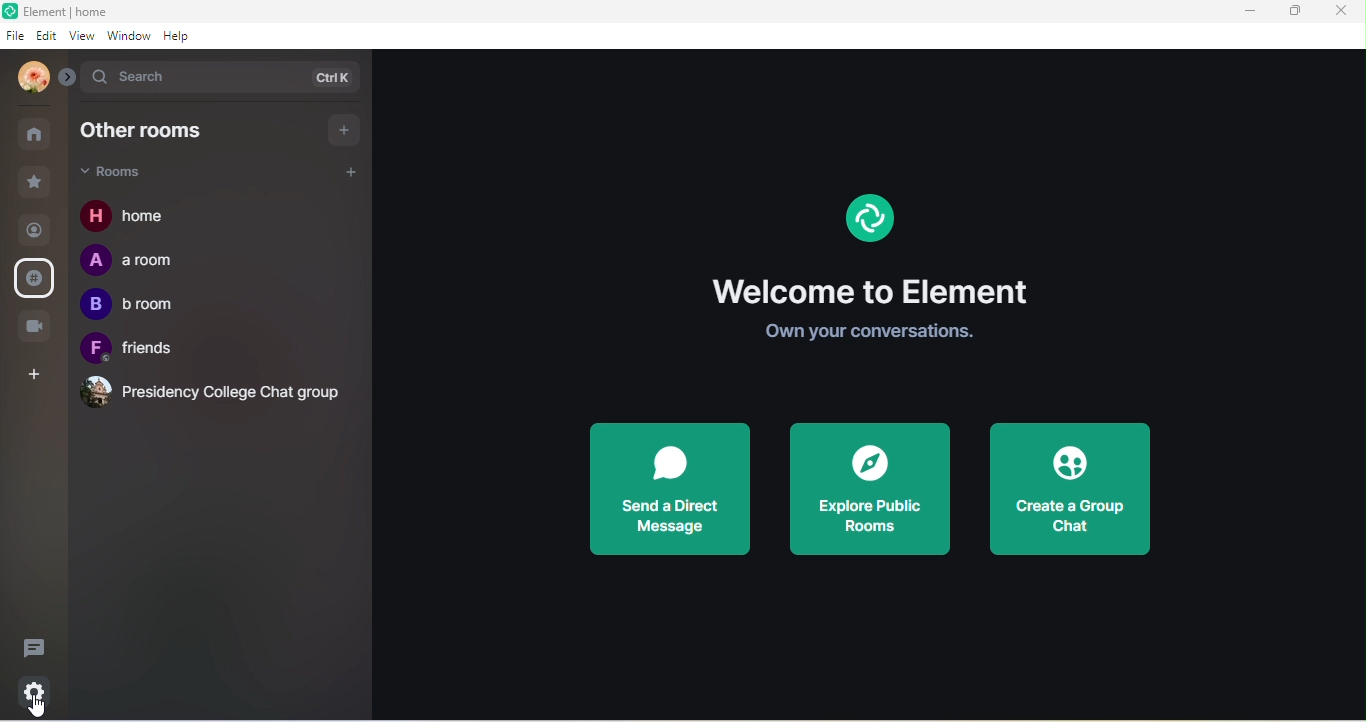  Describe the element at coordinates (39, 647) in the screenshot. I see `thread` at that location.